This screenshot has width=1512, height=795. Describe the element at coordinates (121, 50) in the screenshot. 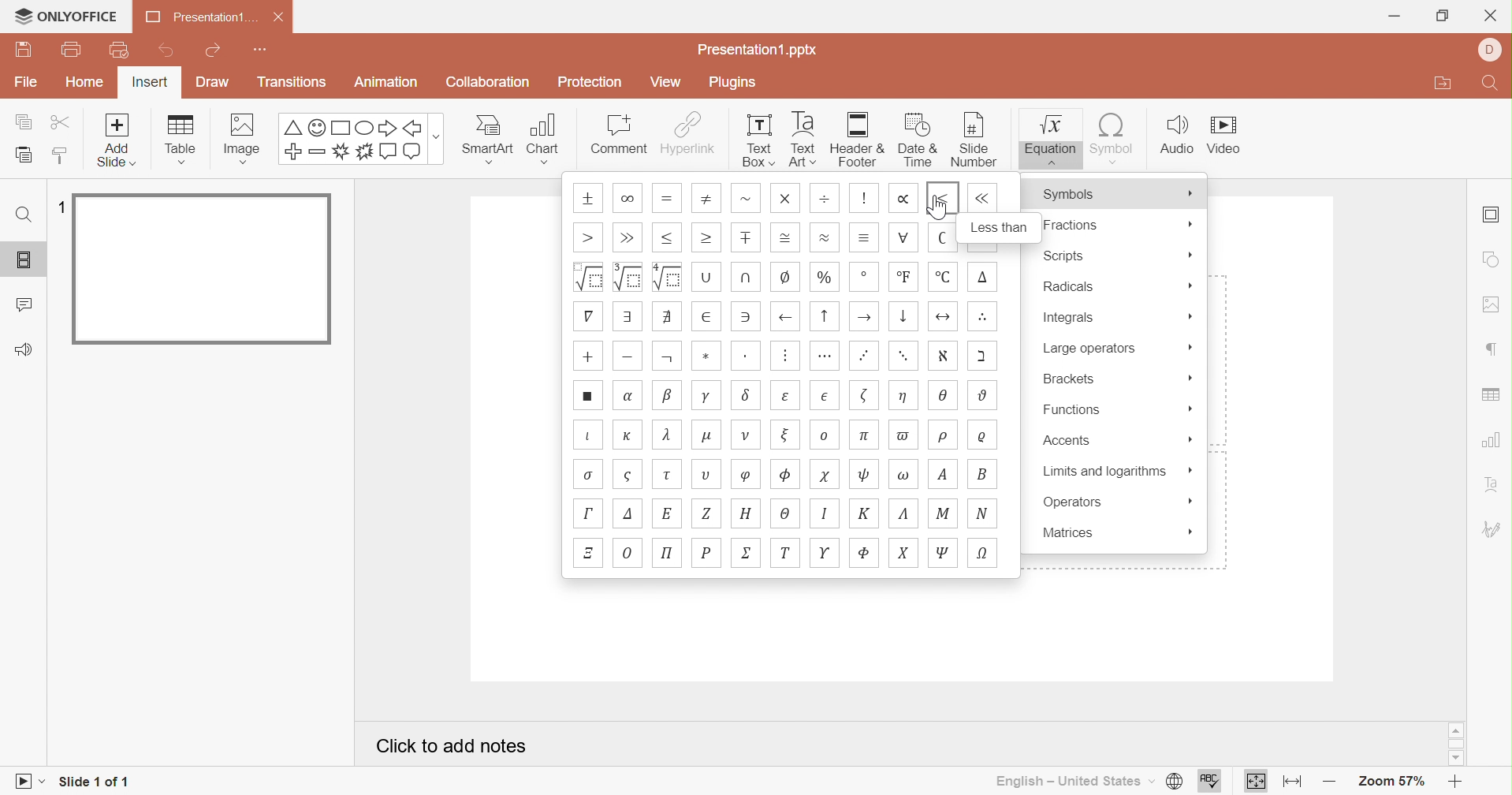

I see `Quick print` at that location.